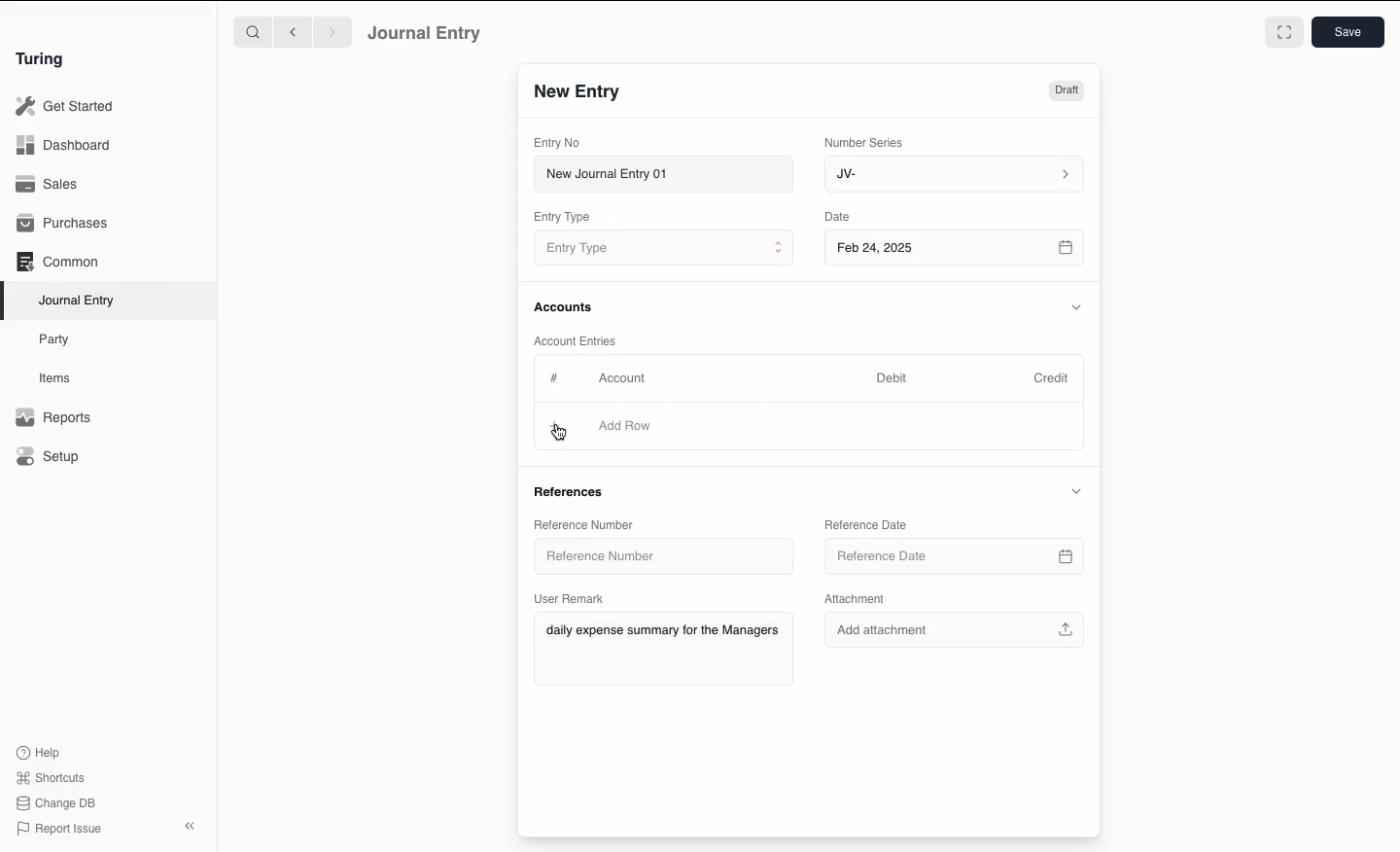 This screenshot has height=852, width=1400. What do you see at coordinates (840, 216) in the screenshot?
I see `Date` at bounding box center [840, 216].